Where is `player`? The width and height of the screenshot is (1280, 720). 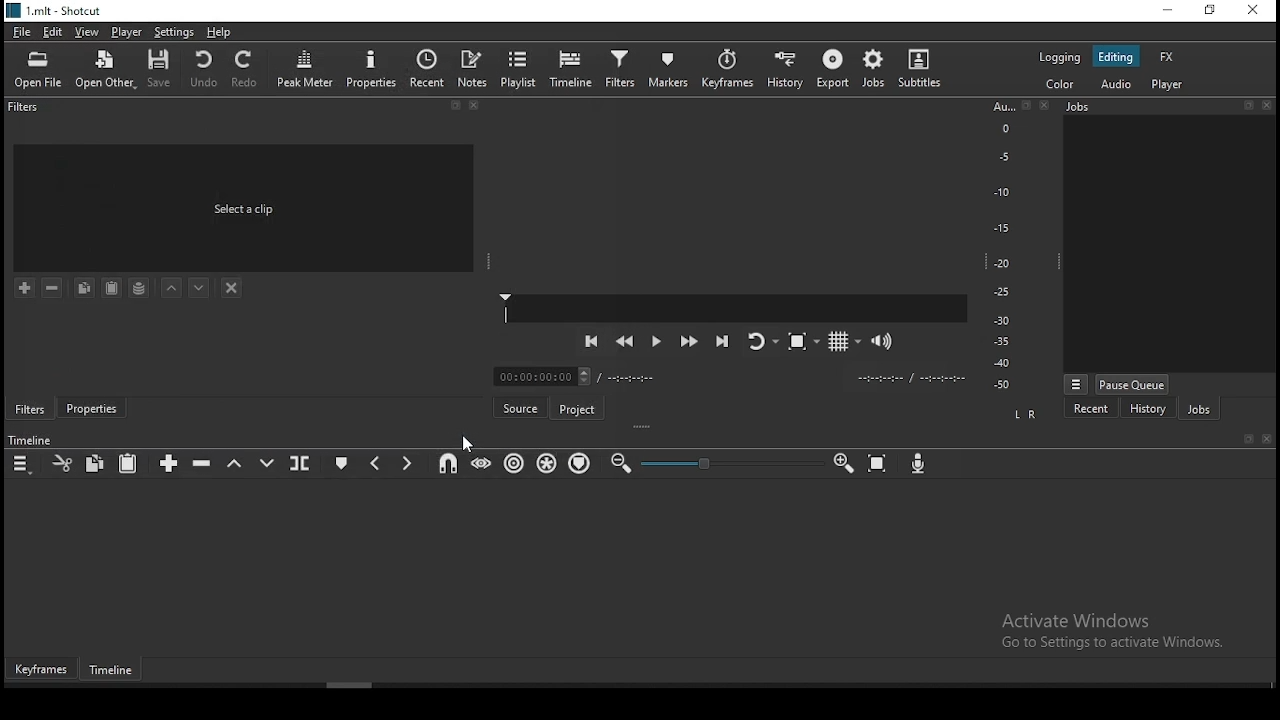 player is located at coordinates (124, 33).